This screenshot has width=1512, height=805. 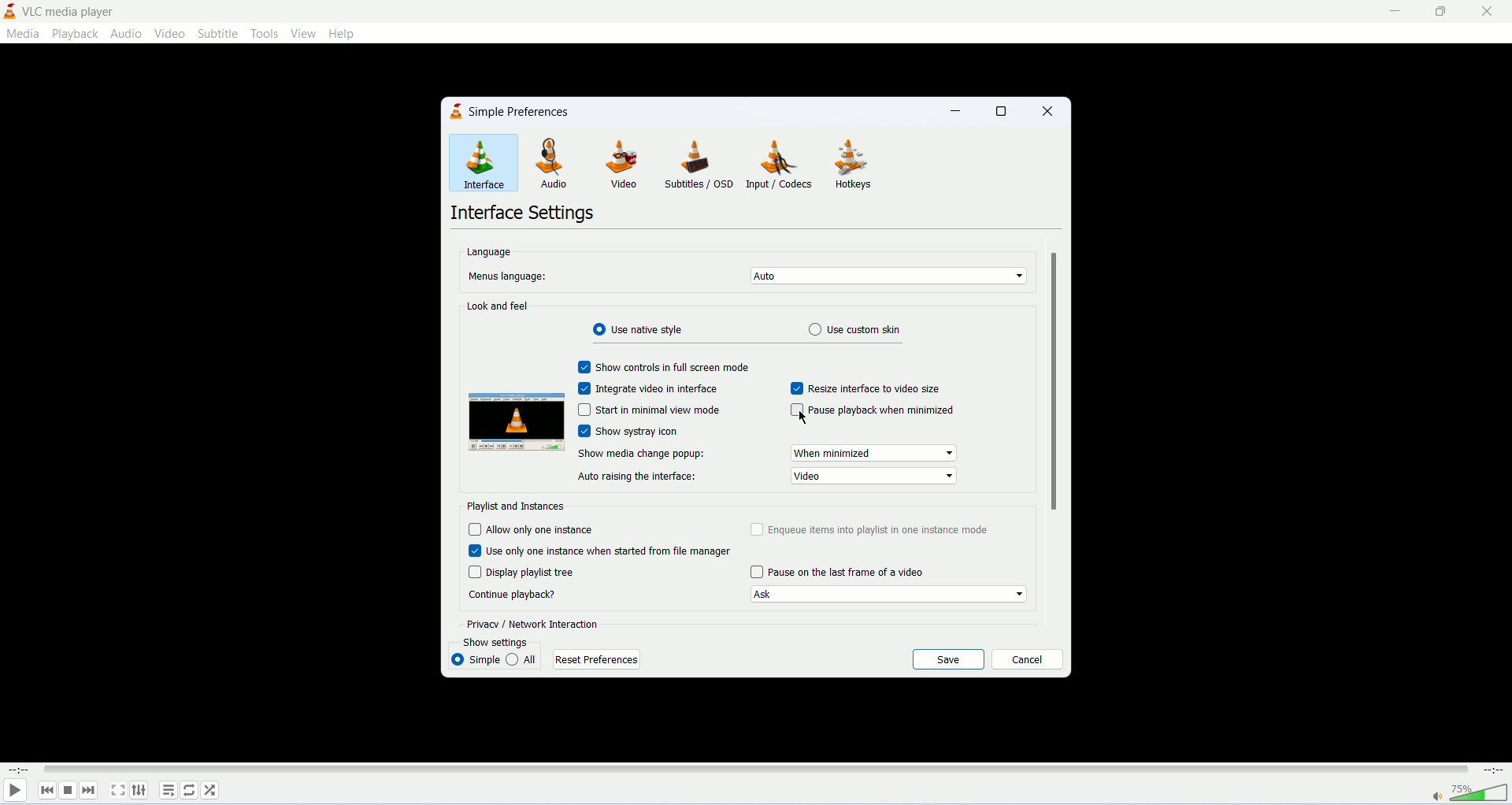 I want to click on check box, so click(x=583, y=365).